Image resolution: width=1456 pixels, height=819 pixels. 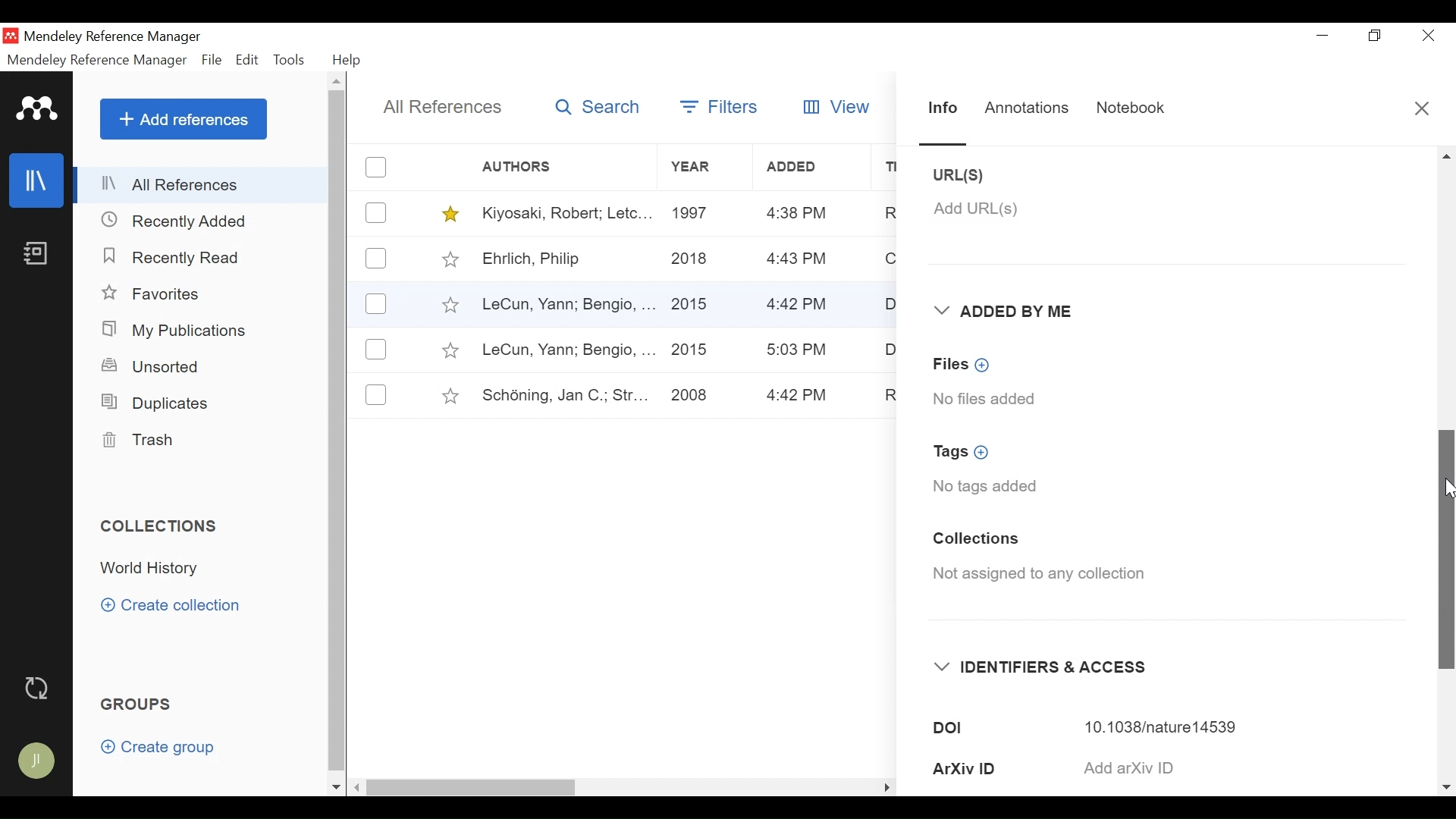 I want to click on Mendeley Logo, so click(x=37, y=111).